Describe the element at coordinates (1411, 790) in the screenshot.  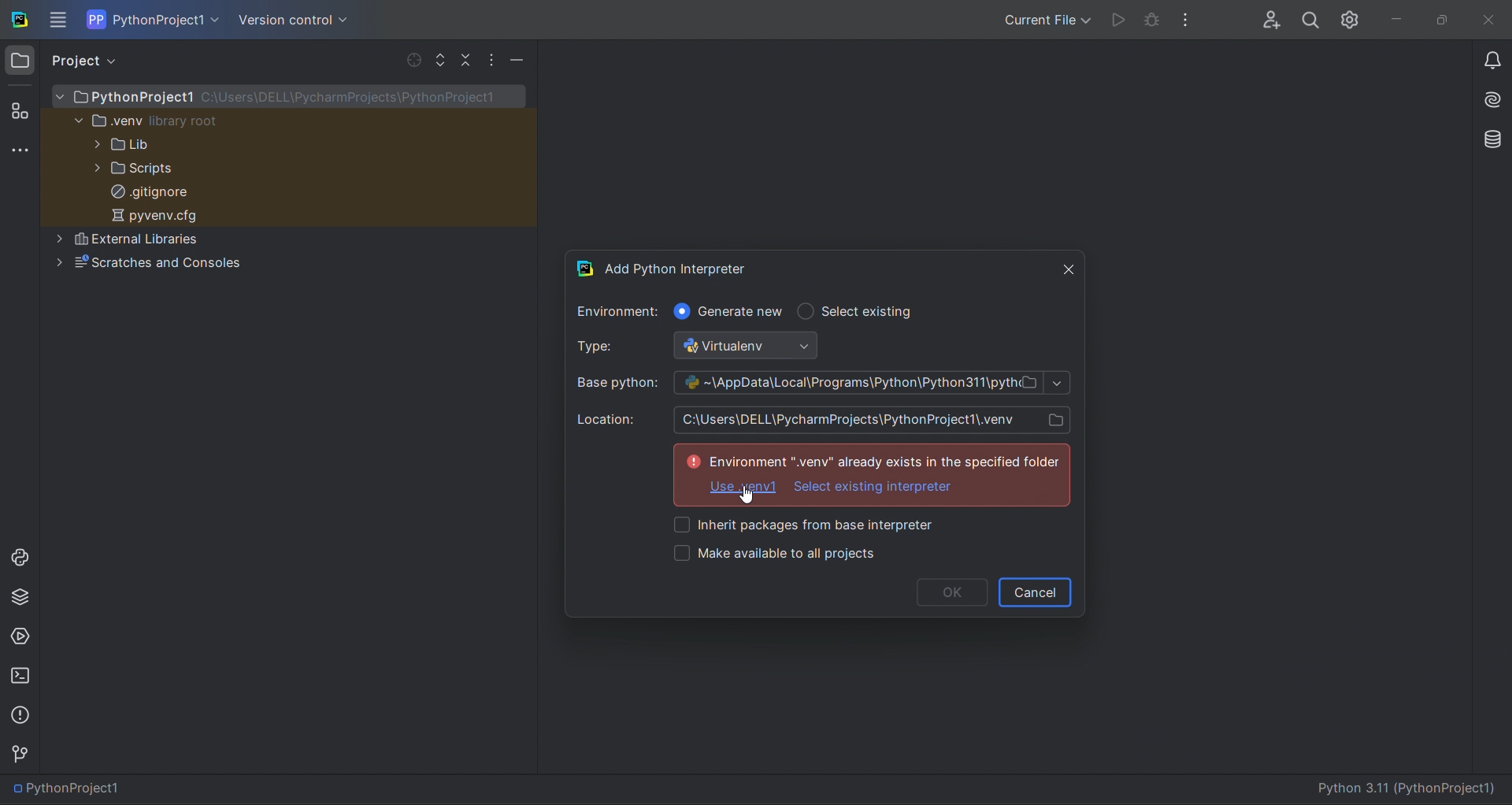
I see `Python 3.11 (PythonProject1)` at that location.